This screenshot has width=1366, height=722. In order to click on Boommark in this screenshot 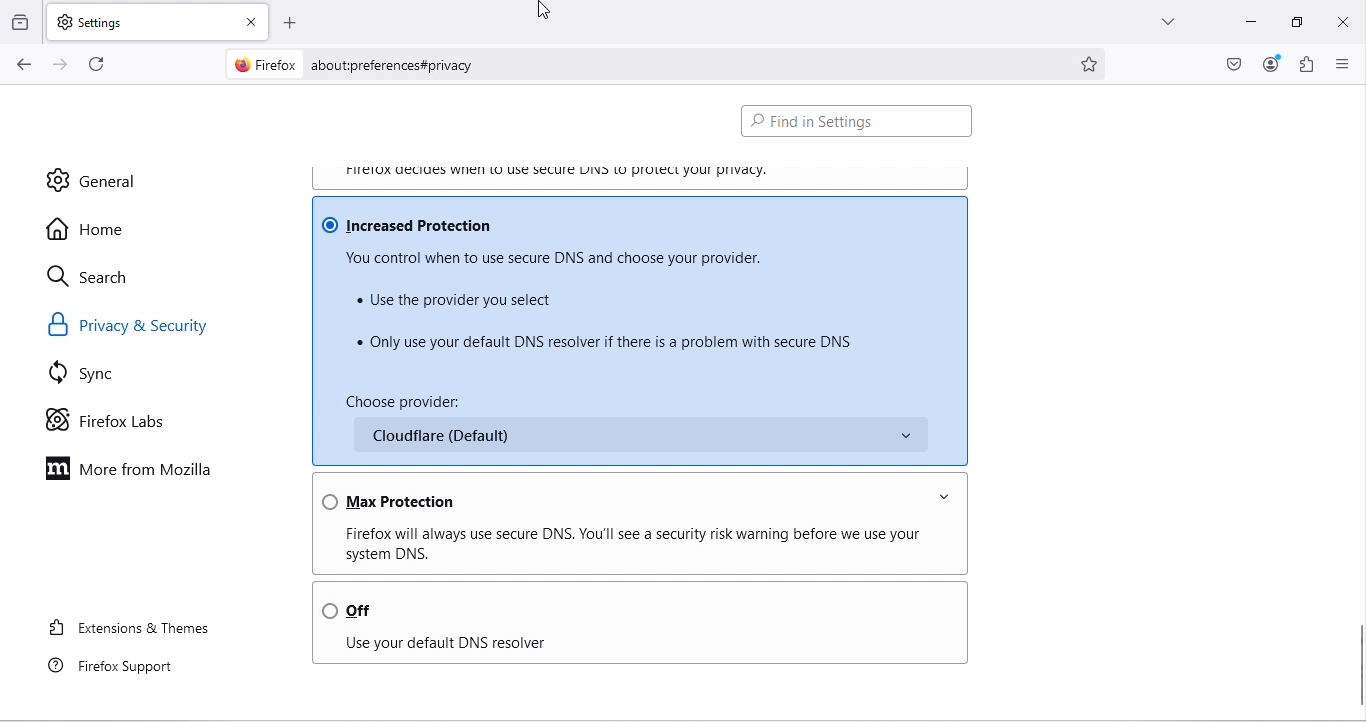, I will do `click(1092, 58)`.